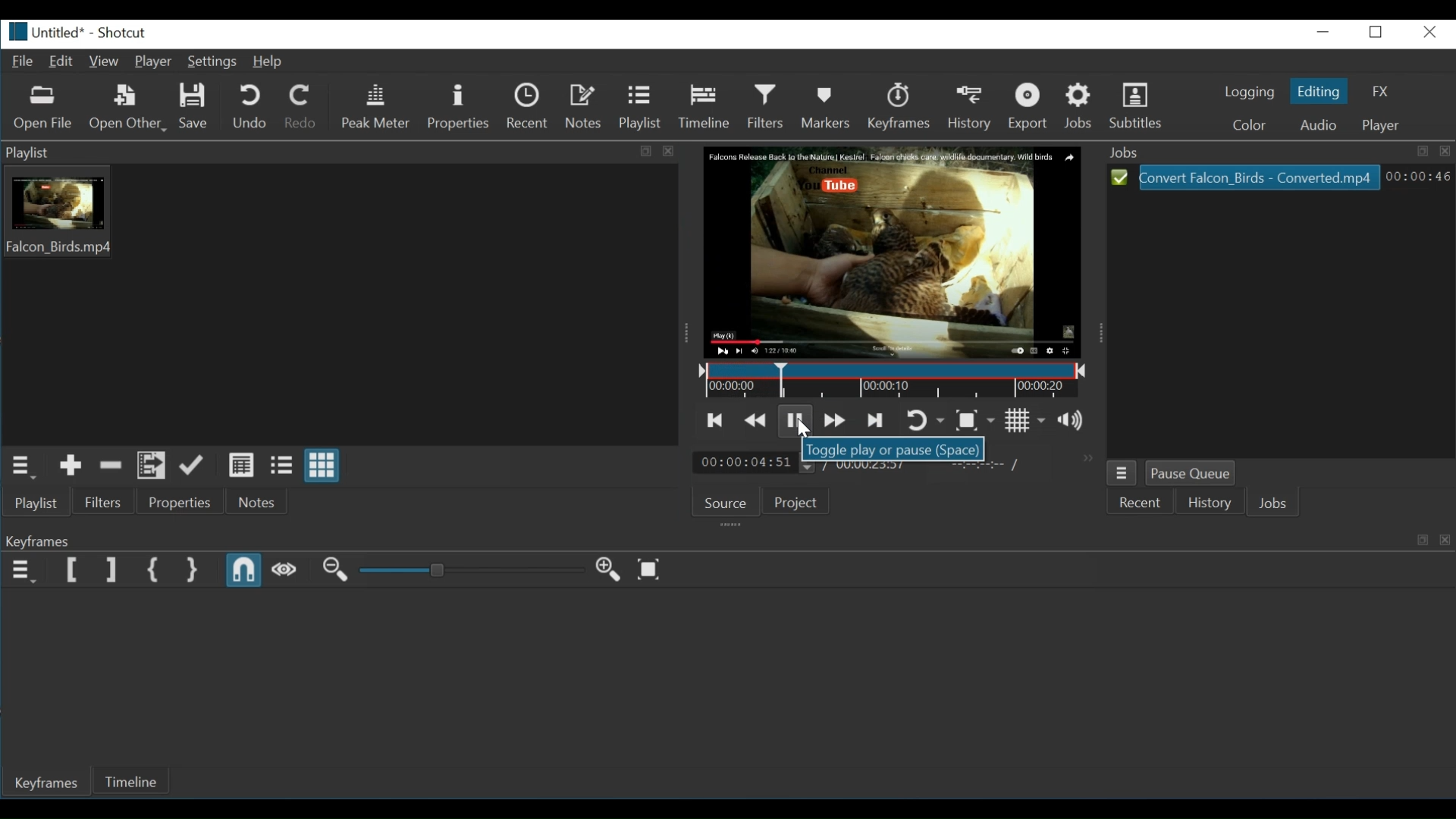  I want to click on Timeline, so click(704, 105).